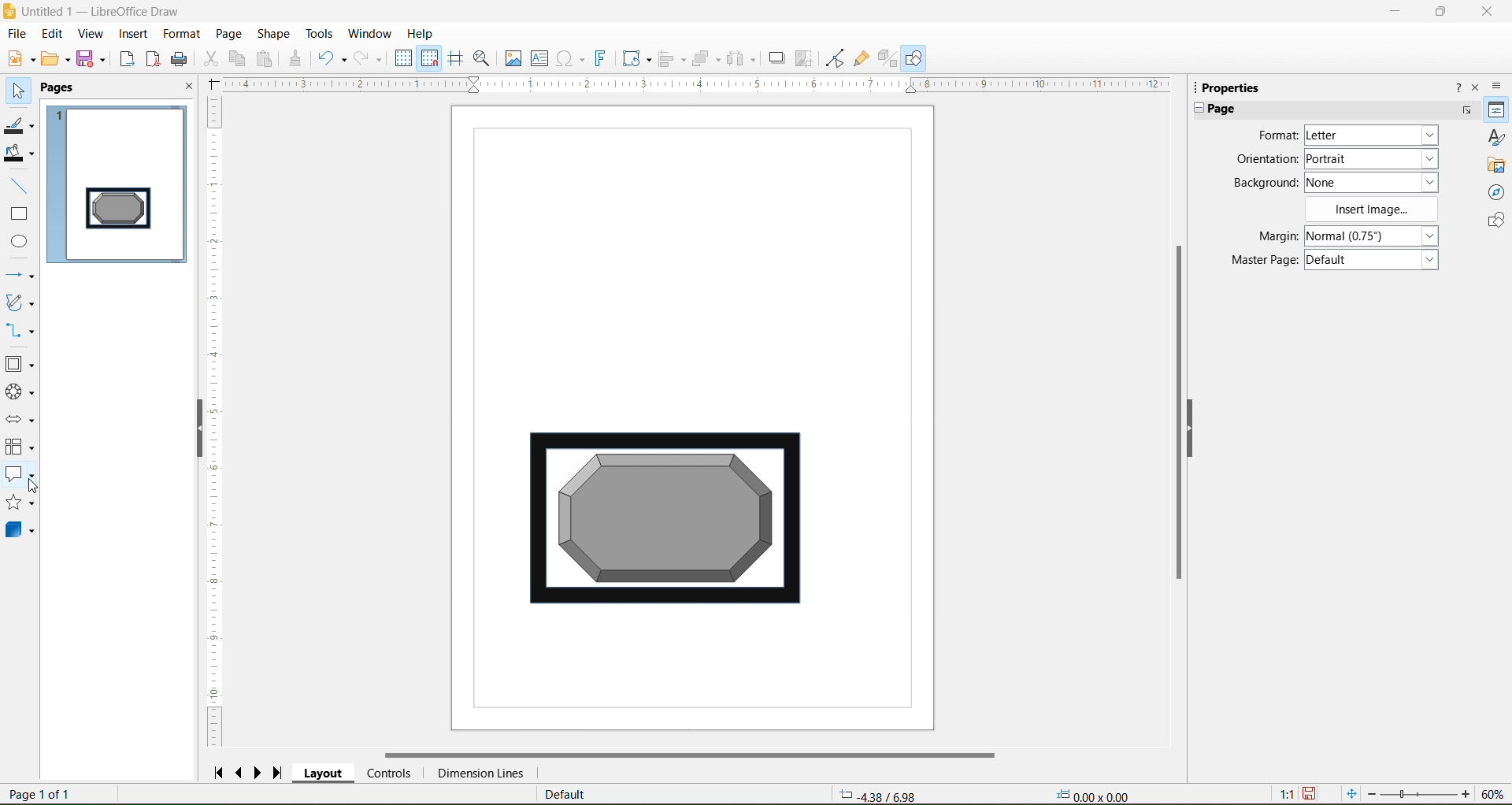 The height and width of the screenshot is (805, 1512). Describe the element at coordinates (1195, 109) in the screenshot. I see `Expand/Close pane` at that location.